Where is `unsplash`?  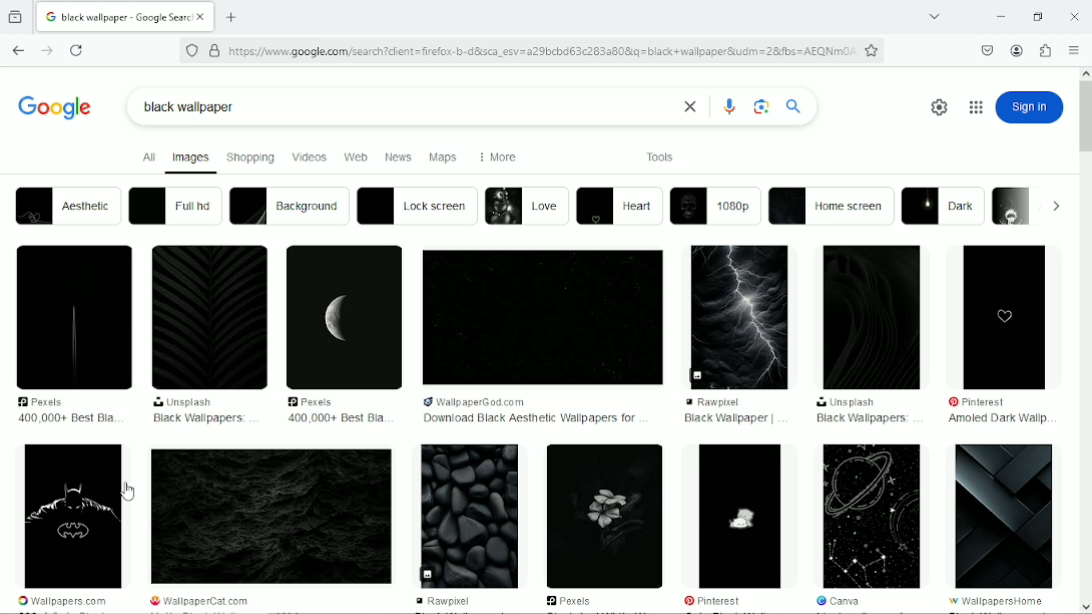
unsplash is located at coordinates (186, 402).